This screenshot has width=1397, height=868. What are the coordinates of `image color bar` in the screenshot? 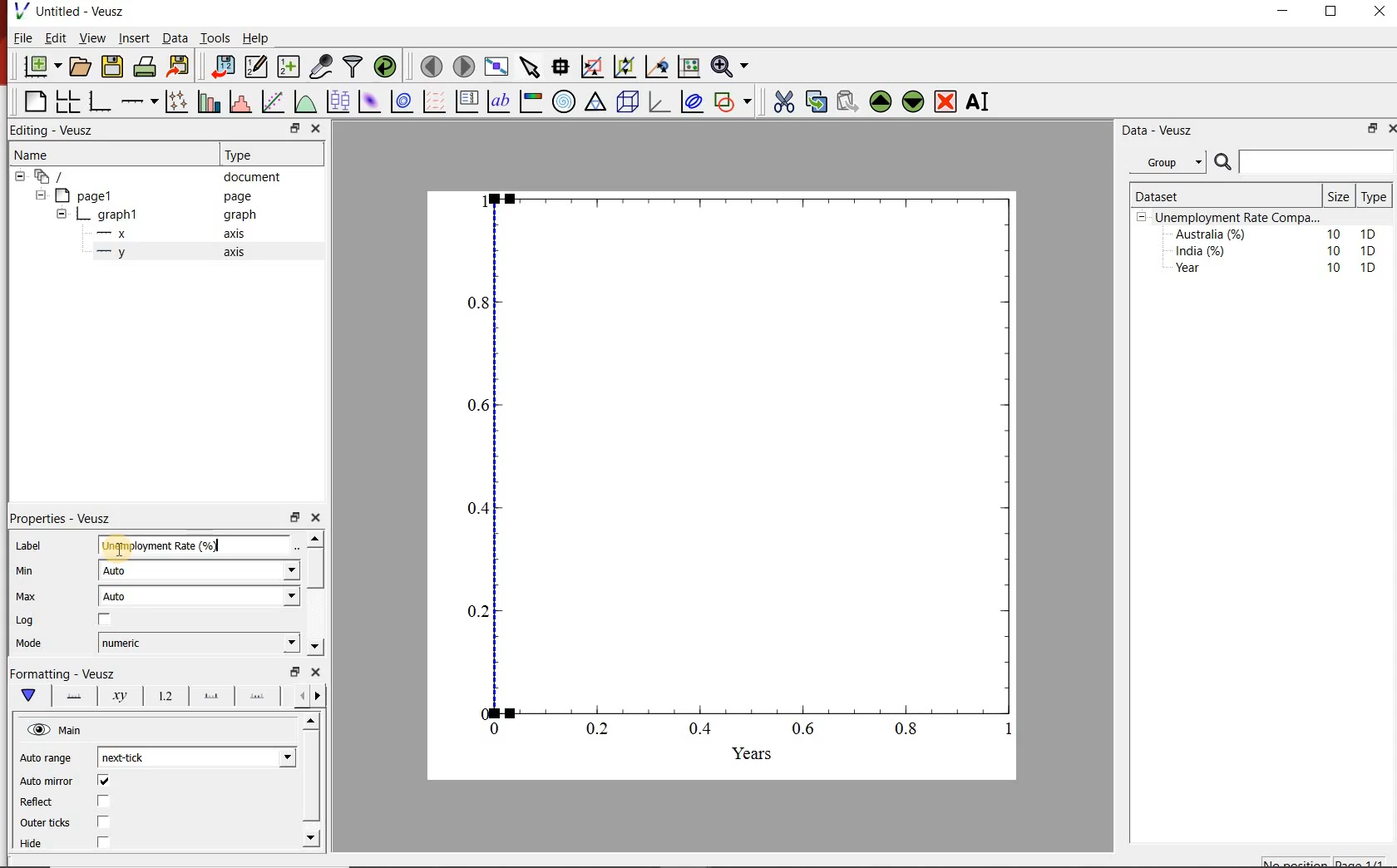 It's located at (531, 102).